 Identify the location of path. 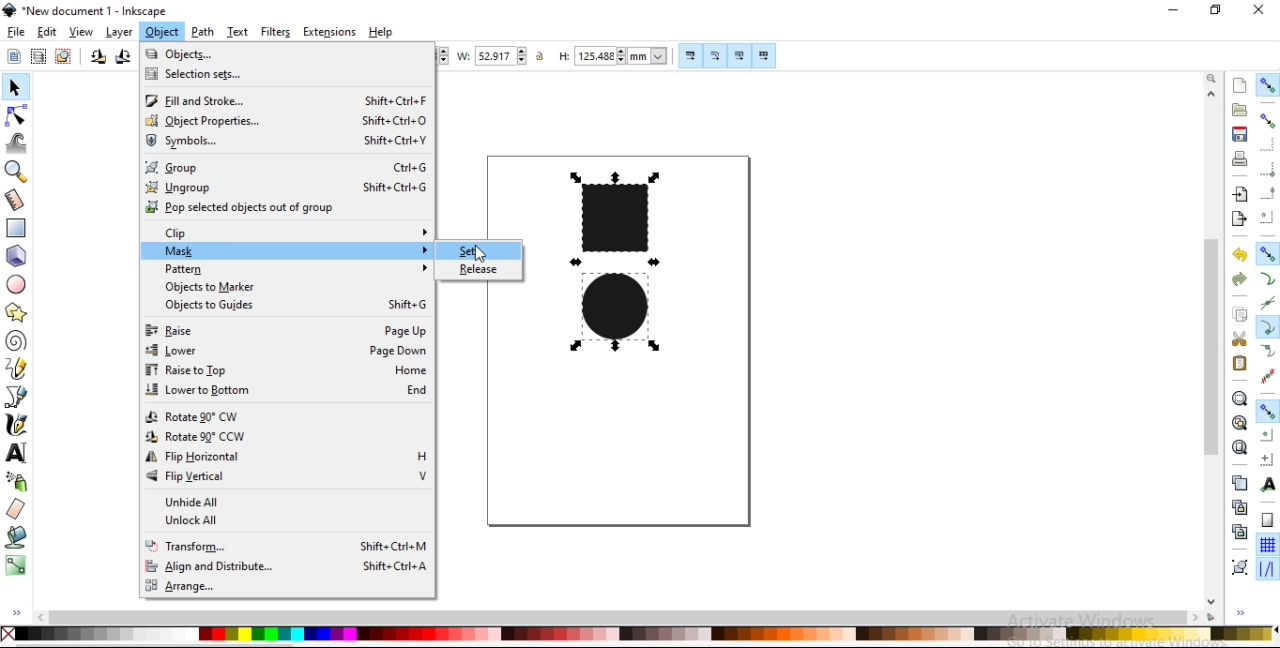
(203, 31).